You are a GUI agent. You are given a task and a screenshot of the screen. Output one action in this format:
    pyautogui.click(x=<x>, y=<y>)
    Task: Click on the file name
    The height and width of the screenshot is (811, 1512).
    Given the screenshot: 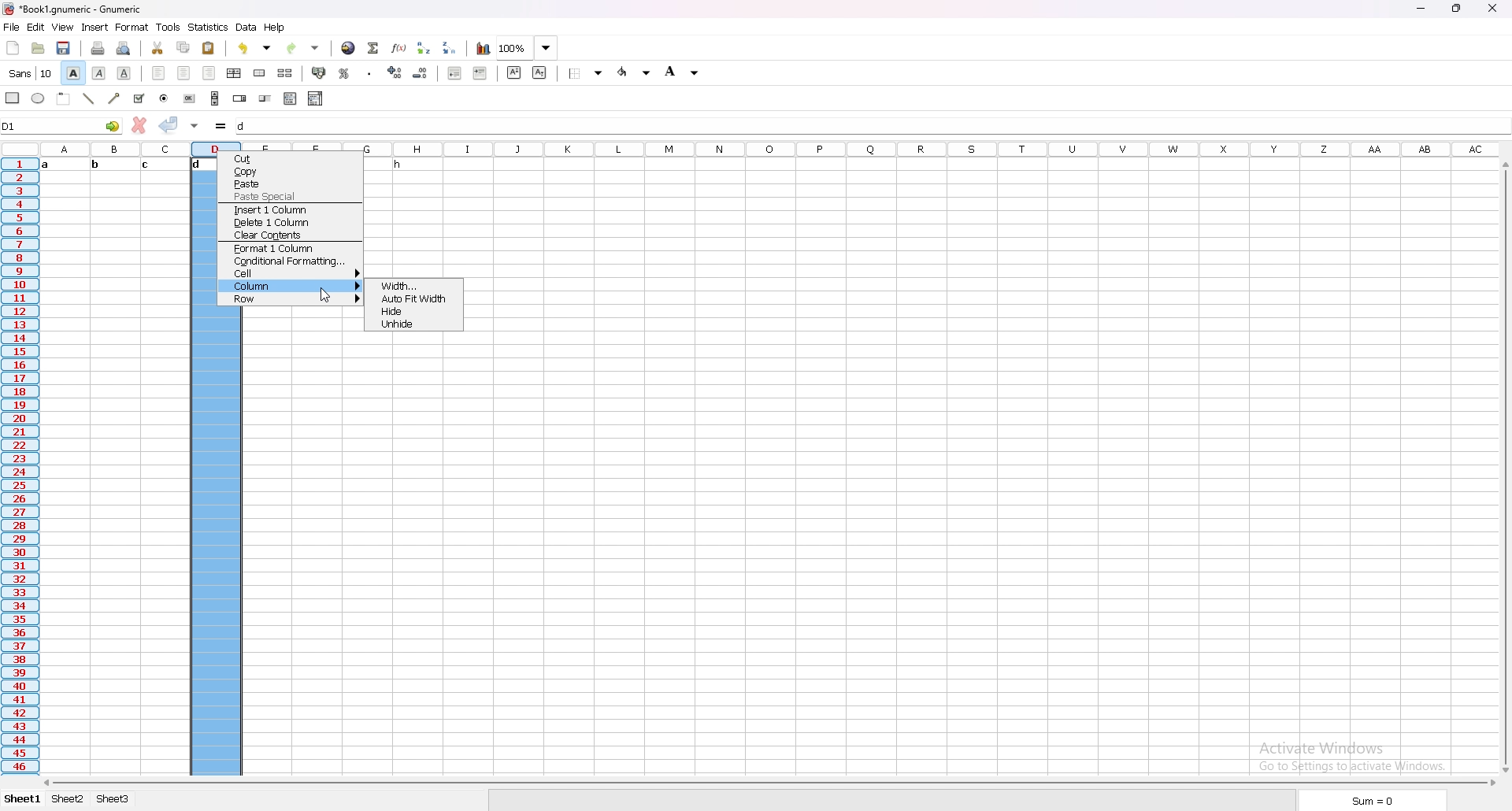 What is the action you would take?
    pyautogui.click(x=72, y=8)
    